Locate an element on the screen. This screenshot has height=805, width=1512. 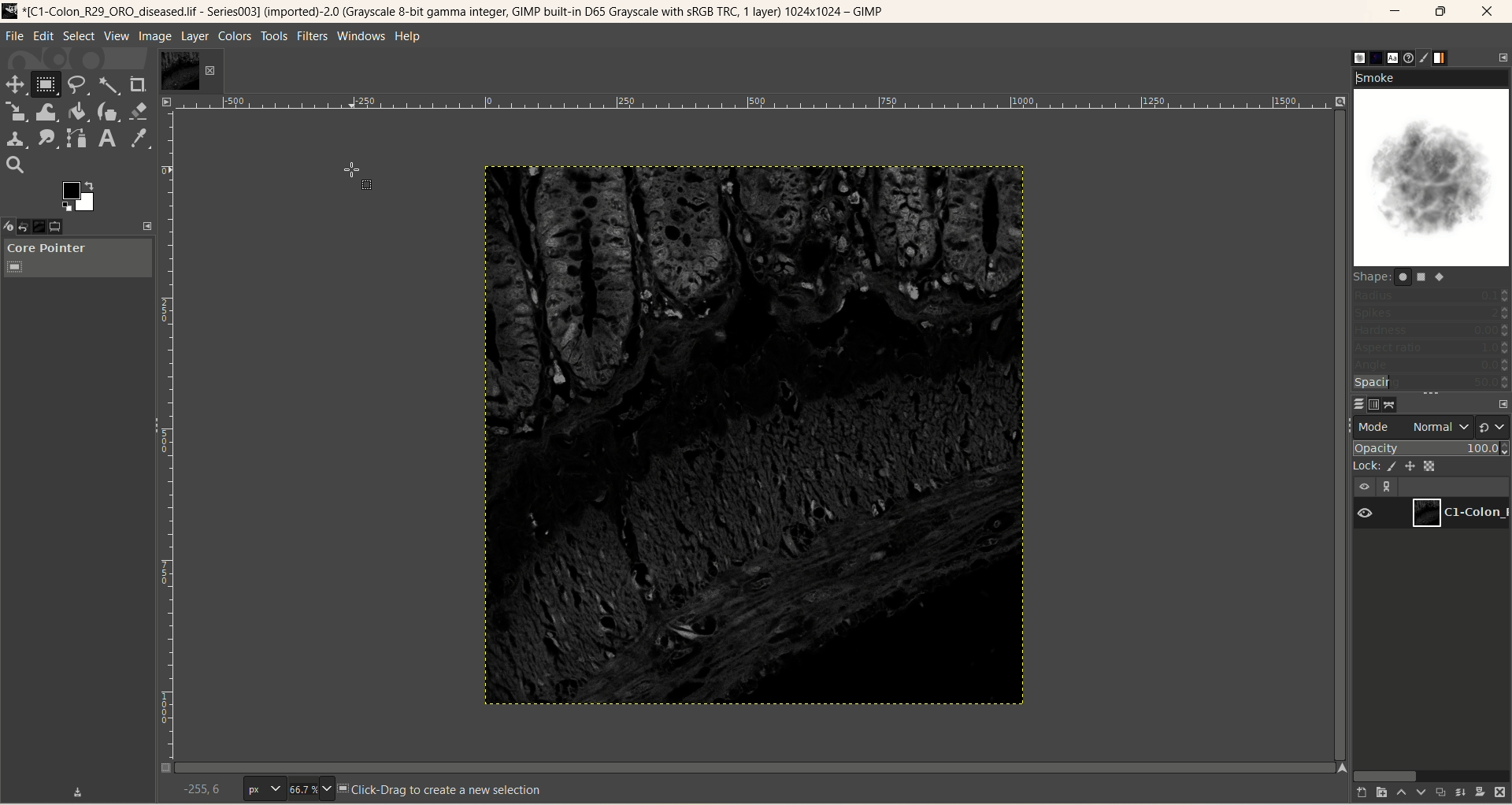
 is located at coordinates (206, 784).